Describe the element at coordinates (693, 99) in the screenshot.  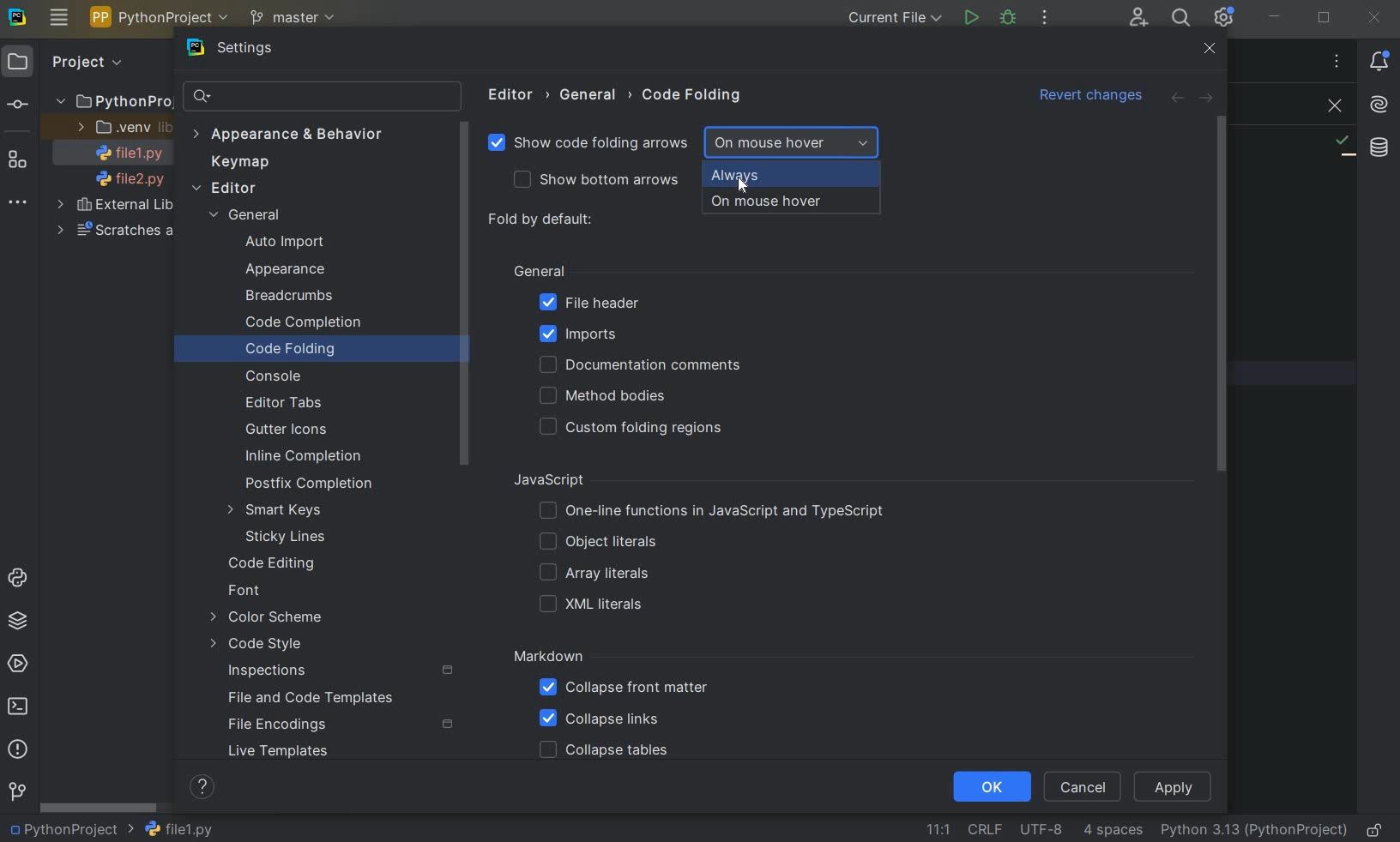
I see `CODE FOLDING` at that location.